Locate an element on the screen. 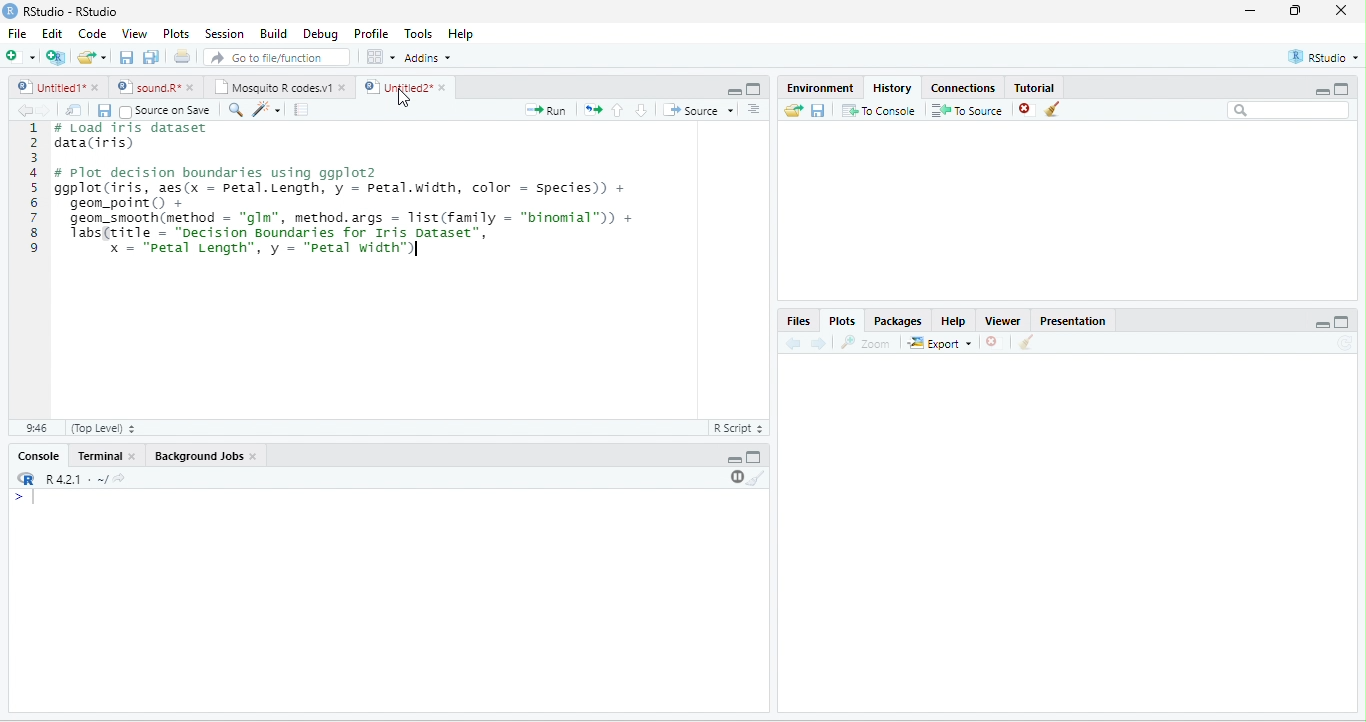 The image size is (1366, 722). Minimize is located at coordinates (1322, 326).